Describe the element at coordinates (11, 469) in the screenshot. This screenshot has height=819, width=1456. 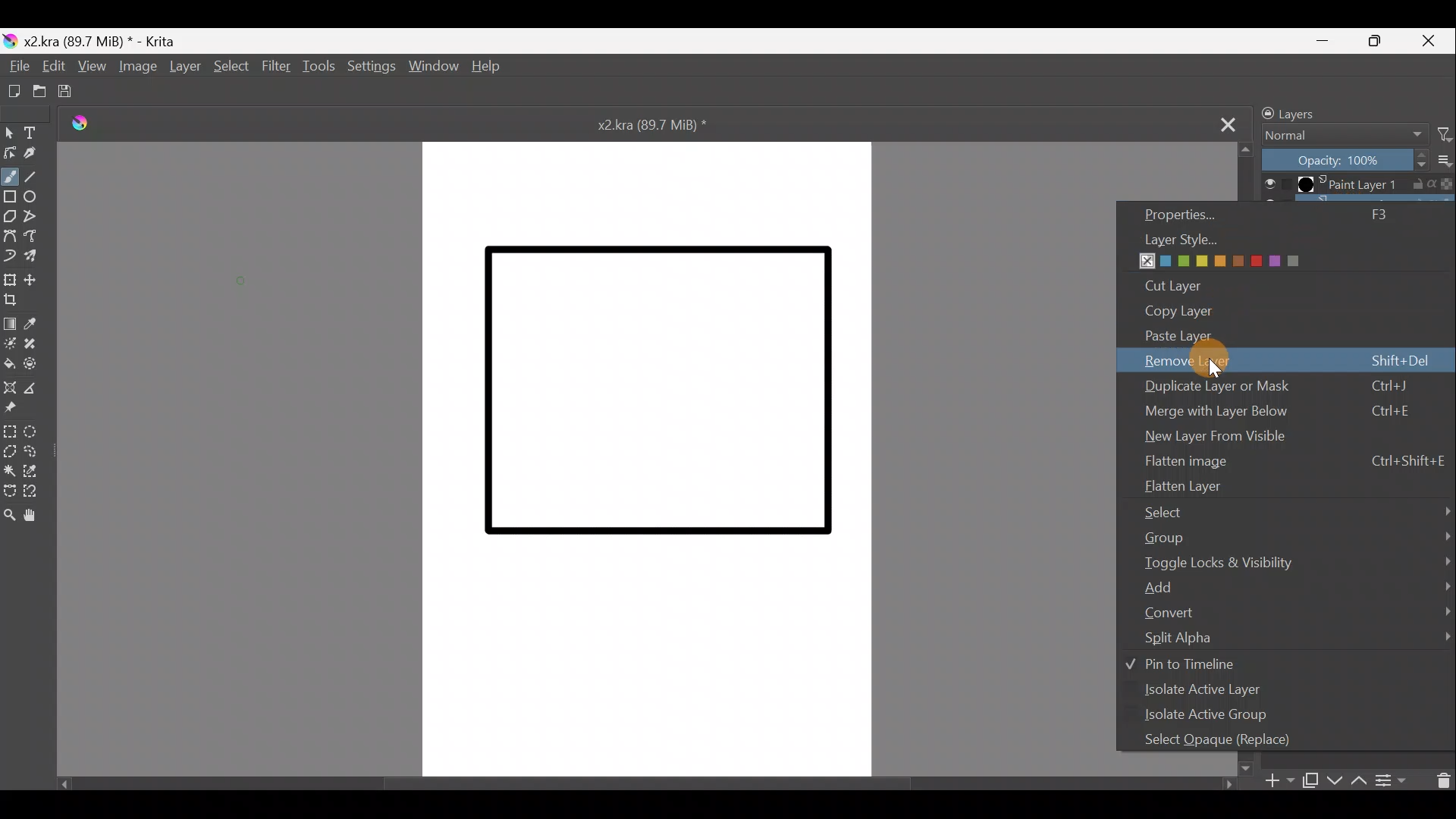
I see `Contiguous selection tool` at that location.